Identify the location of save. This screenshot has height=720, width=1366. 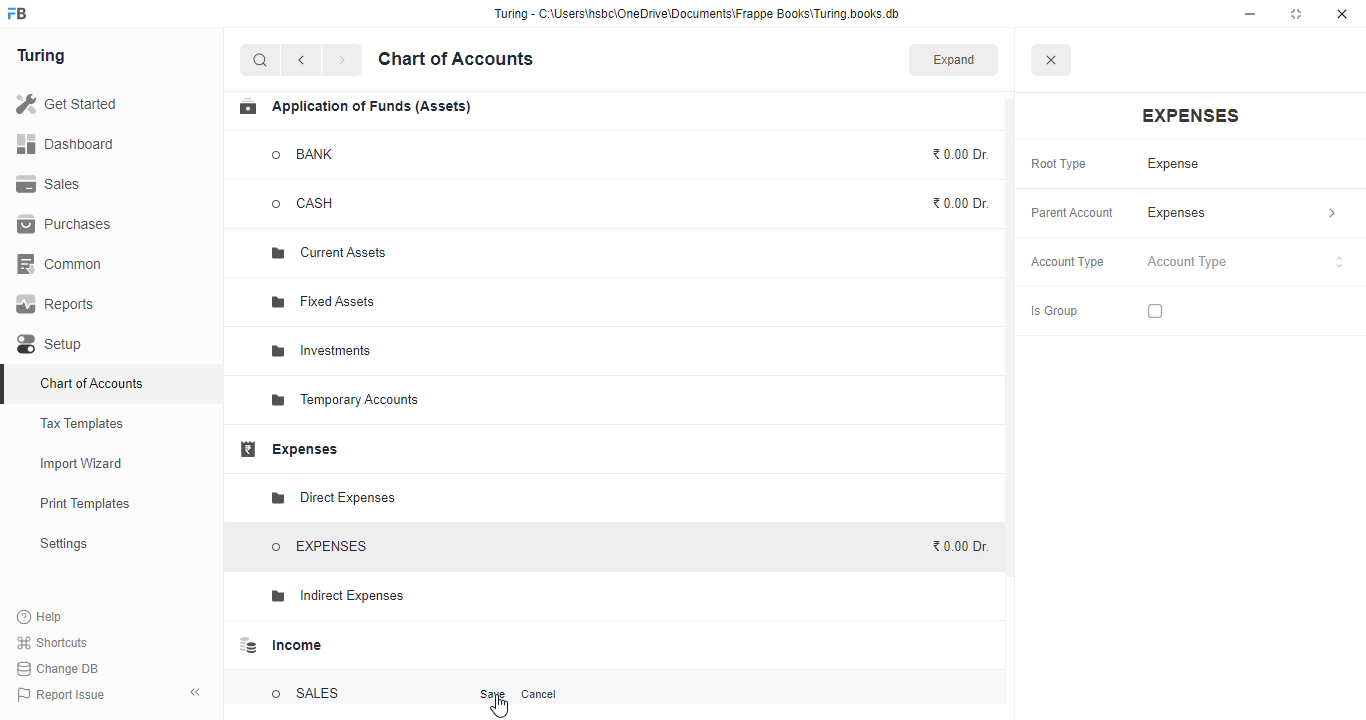
(494, 693).